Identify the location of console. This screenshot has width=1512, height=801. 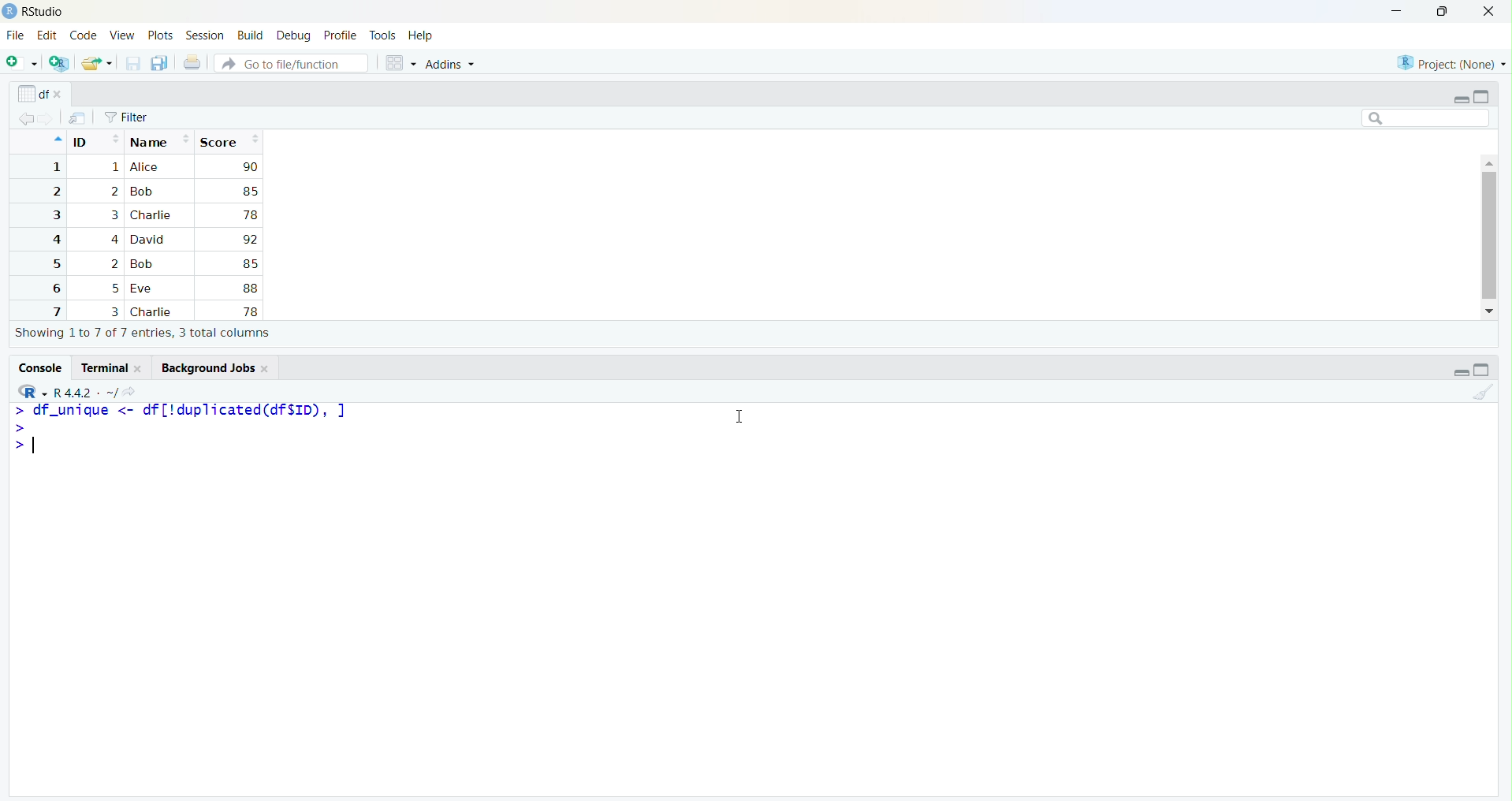
(39, 367).